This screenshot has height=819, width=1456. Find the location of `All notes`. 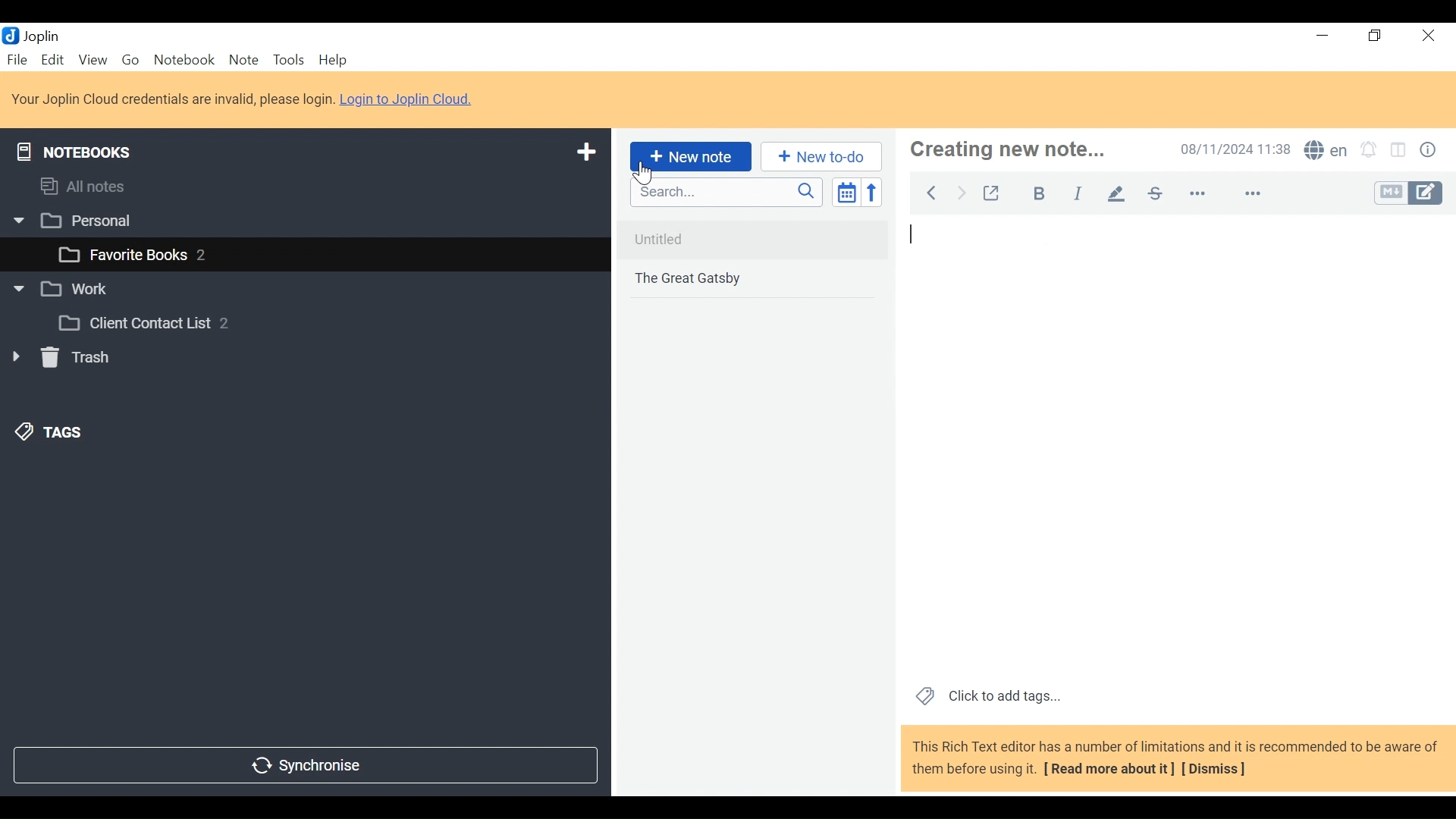

All notes is located at coordinates (84, 187).